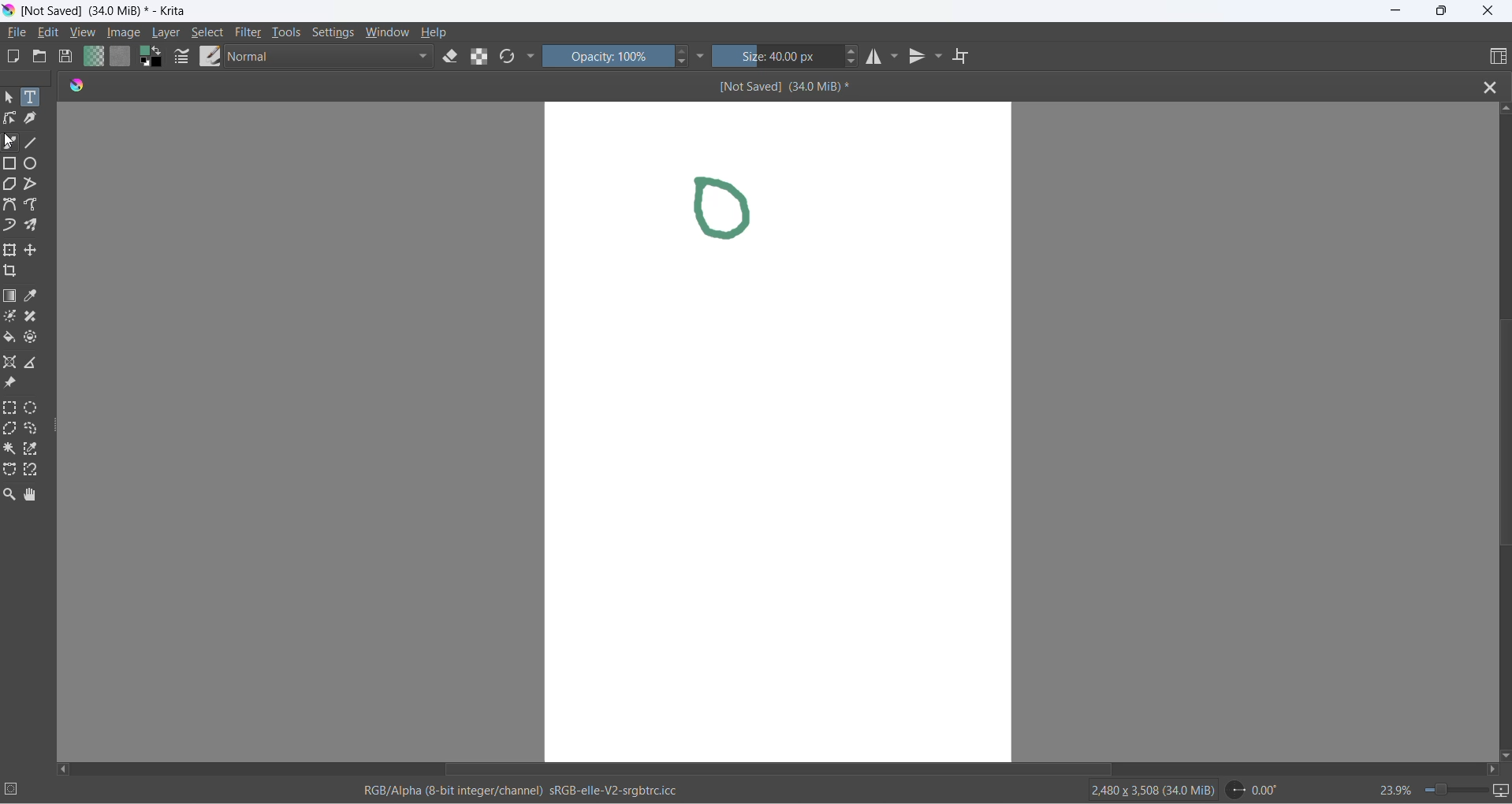 The width and height of the screenshot is (1512, 804). I want to click on app icon, so click(79, 86).